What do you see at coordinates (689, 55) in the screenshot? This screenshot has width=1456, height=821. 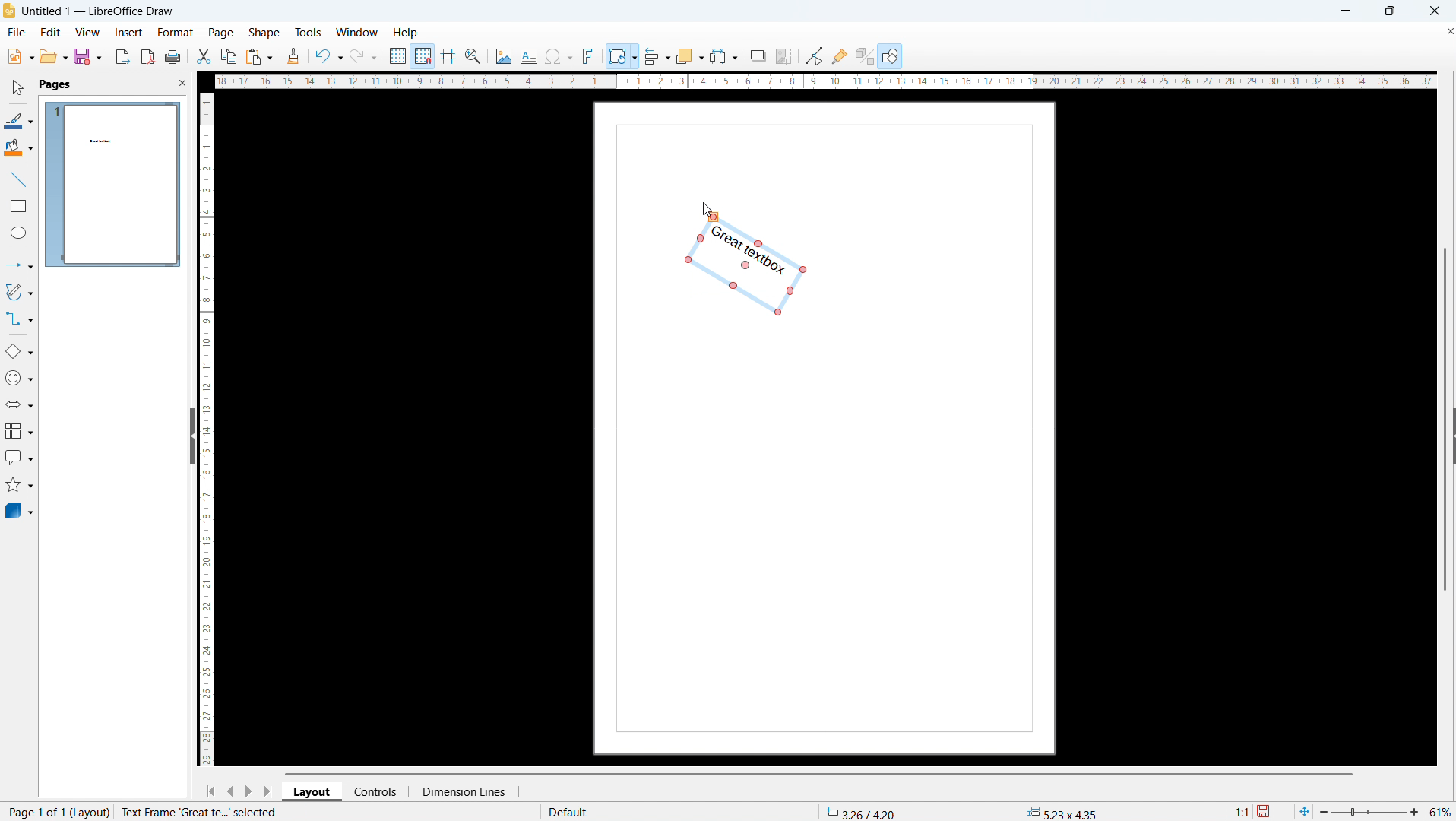 I see `arrange` at bounding box center [689, 55].